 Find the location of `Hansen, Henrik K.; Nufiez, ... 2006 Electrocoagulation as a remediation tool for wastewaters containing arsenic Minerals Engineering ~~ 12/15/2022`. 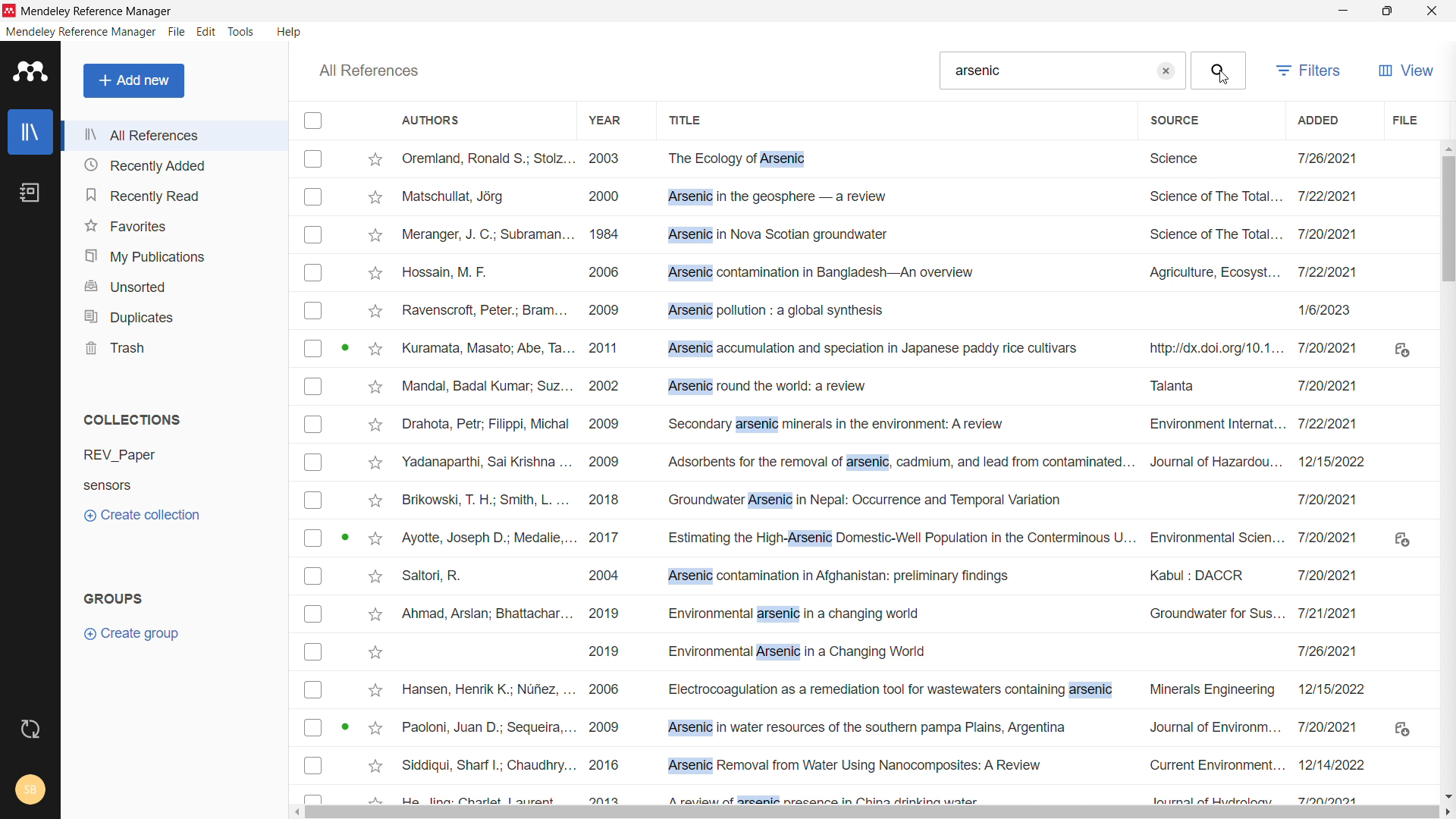

Hansen, Henrik K.; Nufiez, ... 2006 Electrocoagulation as a remediation tool for wastewaters containing arsenic Minerals Engineering ~~ 12/15/2022 is located at coordinates (884, 688).